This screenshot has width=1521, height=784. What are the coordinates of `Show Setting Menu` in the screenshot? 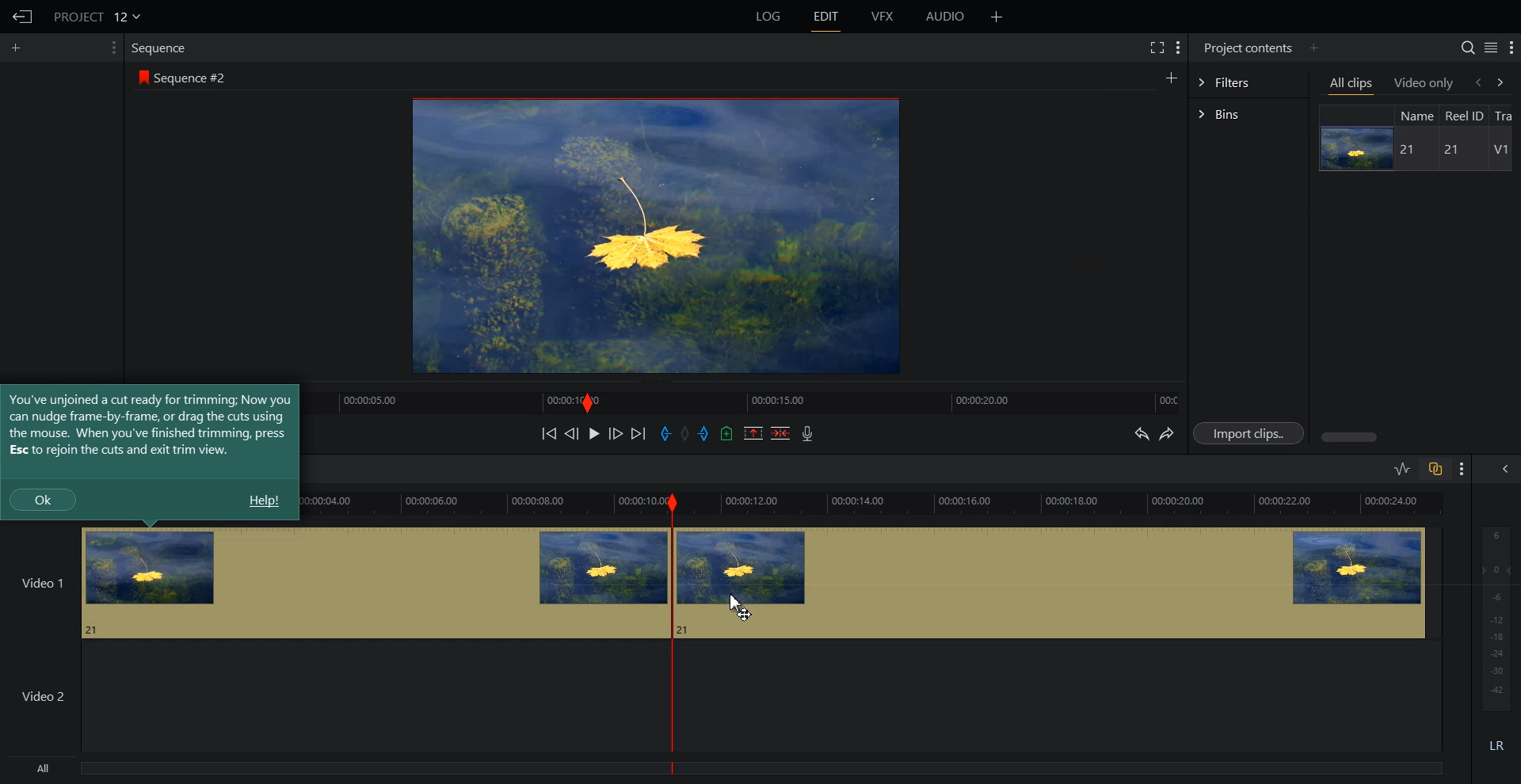 It's located at (1511, 48).